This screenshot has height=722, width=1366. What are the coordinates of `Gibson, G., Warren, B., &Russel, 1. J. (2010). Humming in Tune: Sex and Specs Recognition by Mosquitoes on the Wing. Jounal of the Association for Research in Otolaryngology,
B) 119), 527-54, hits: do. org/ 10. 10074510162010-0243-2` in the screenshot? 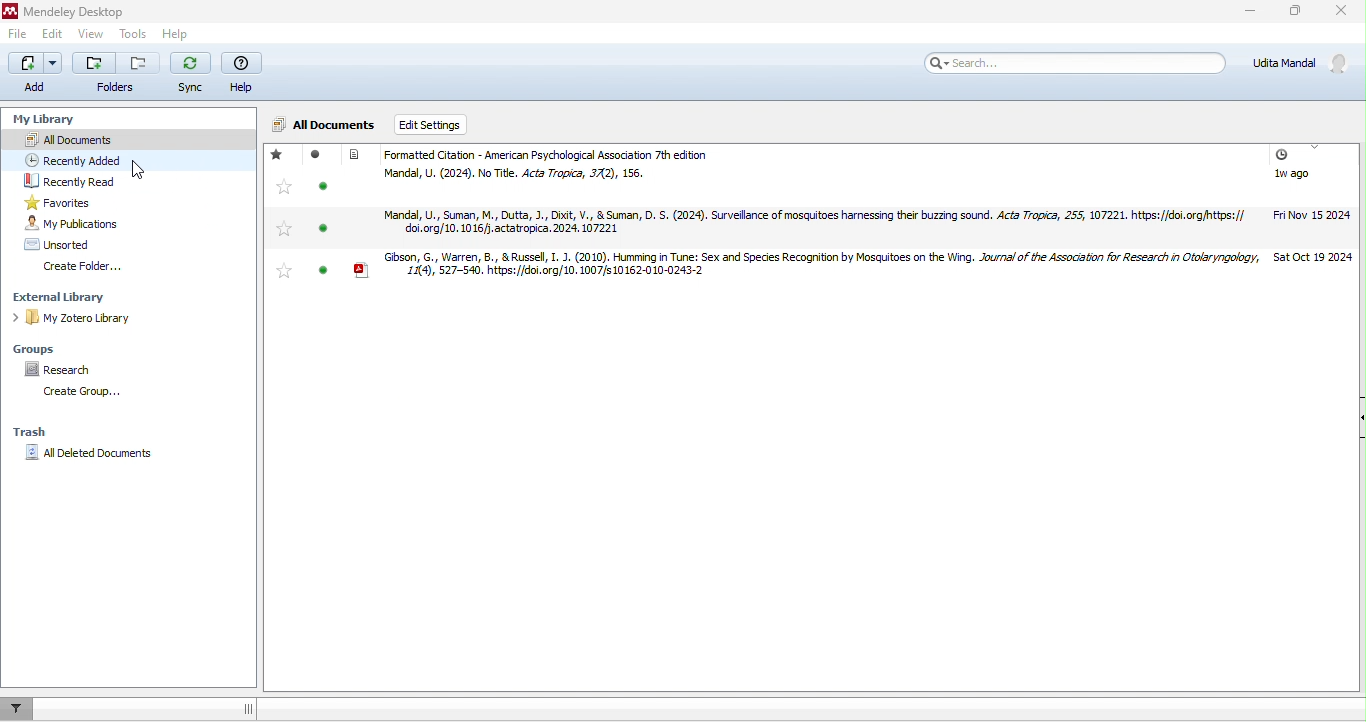 It's located at (809, 271).